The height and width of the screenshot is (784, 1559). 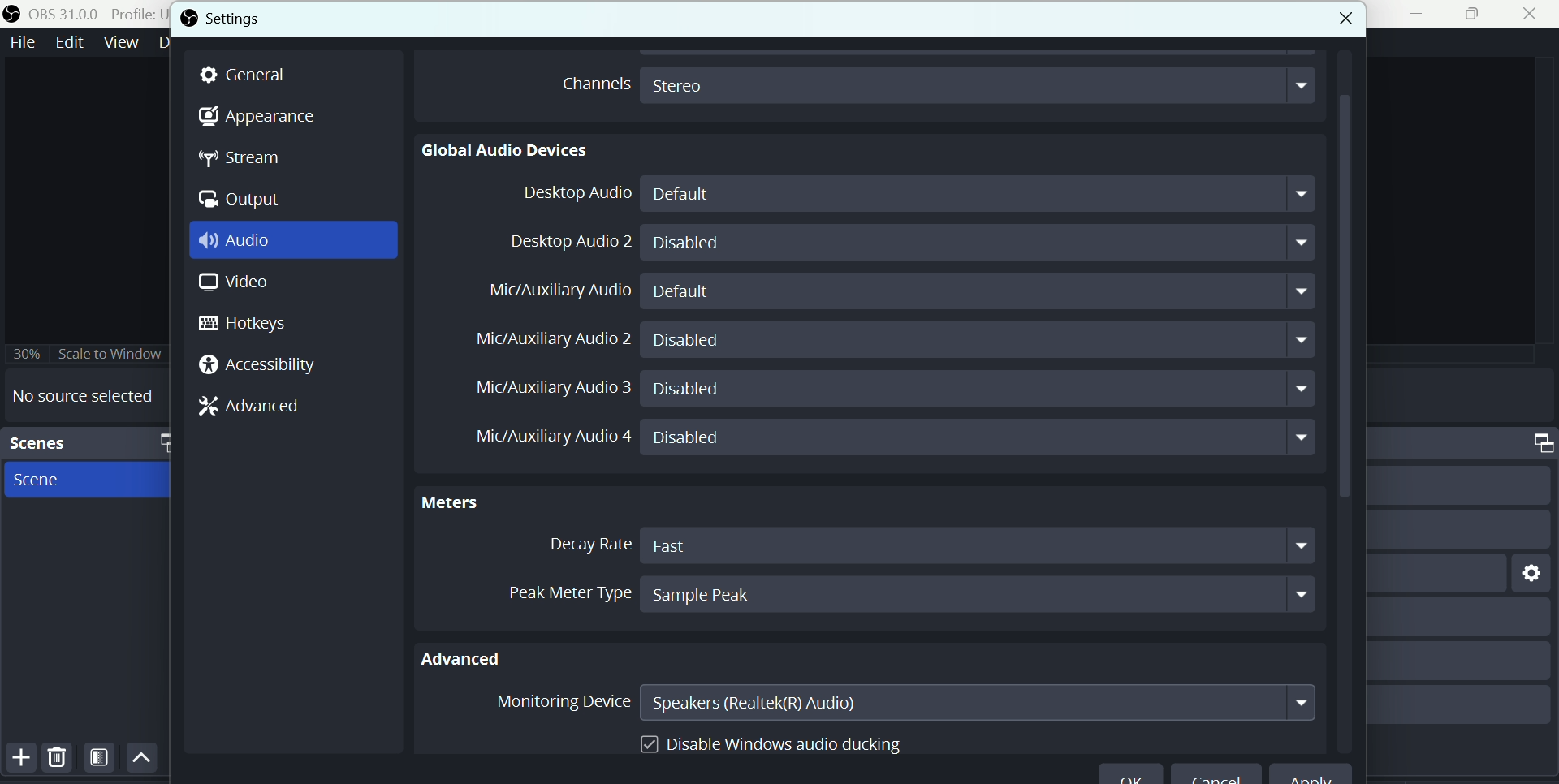 I want to click on Scenes, so click(x=58, y=442).